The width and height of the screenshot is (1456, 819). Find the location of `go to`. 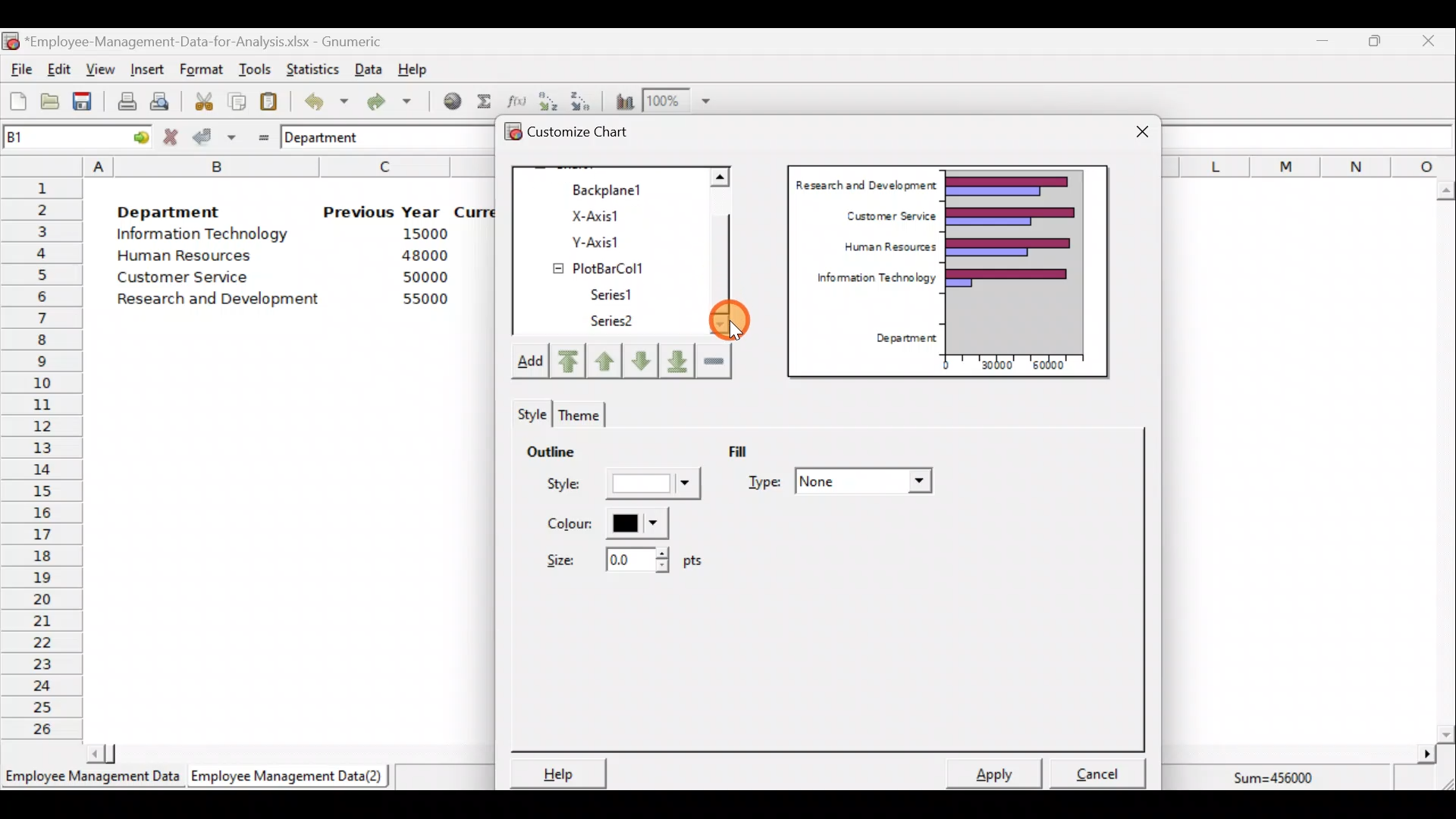

go to is located at coordinates (135, 135).